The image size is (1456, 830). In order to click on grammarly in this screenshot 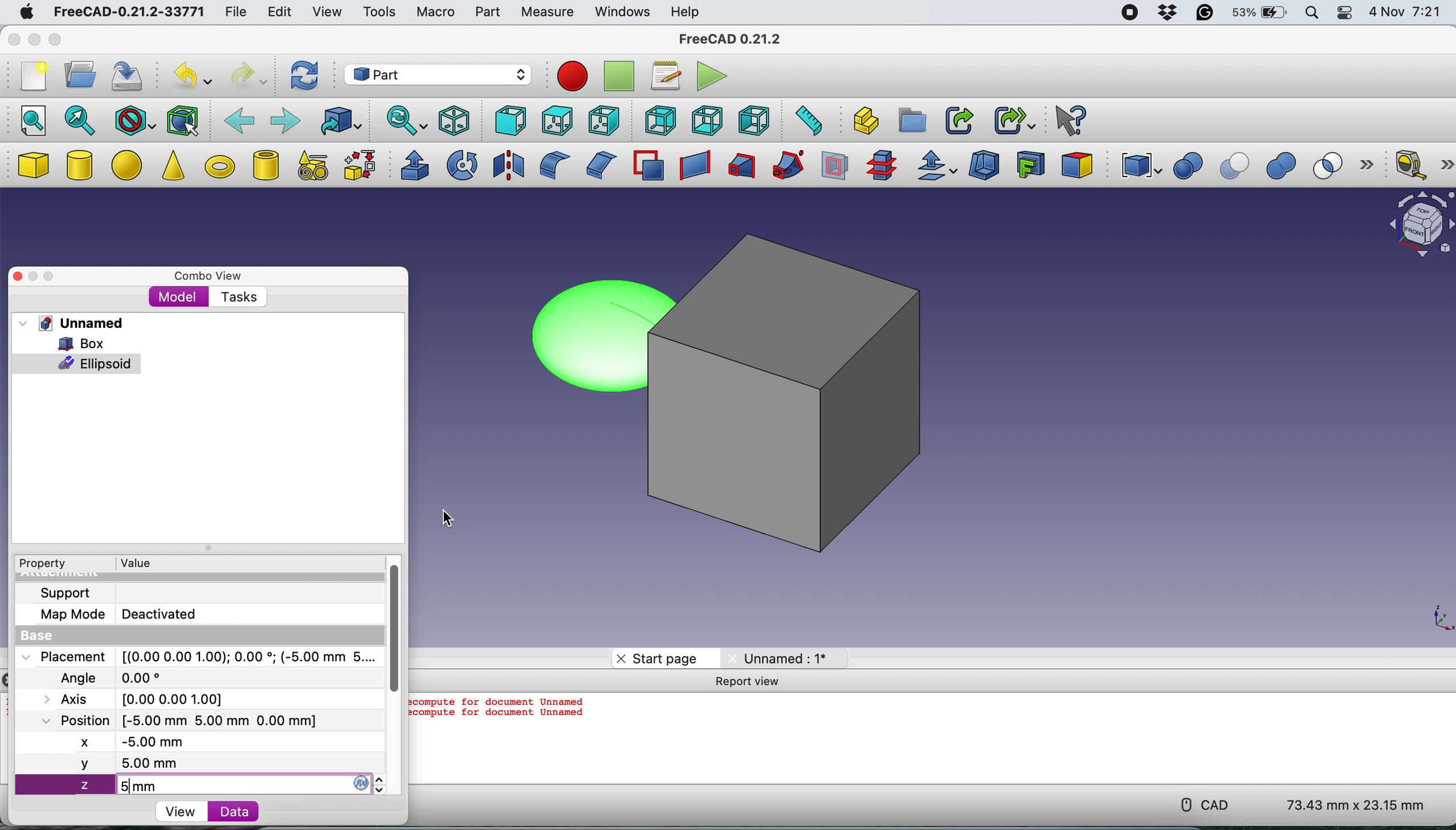, I will do `click(1205, 14)`.